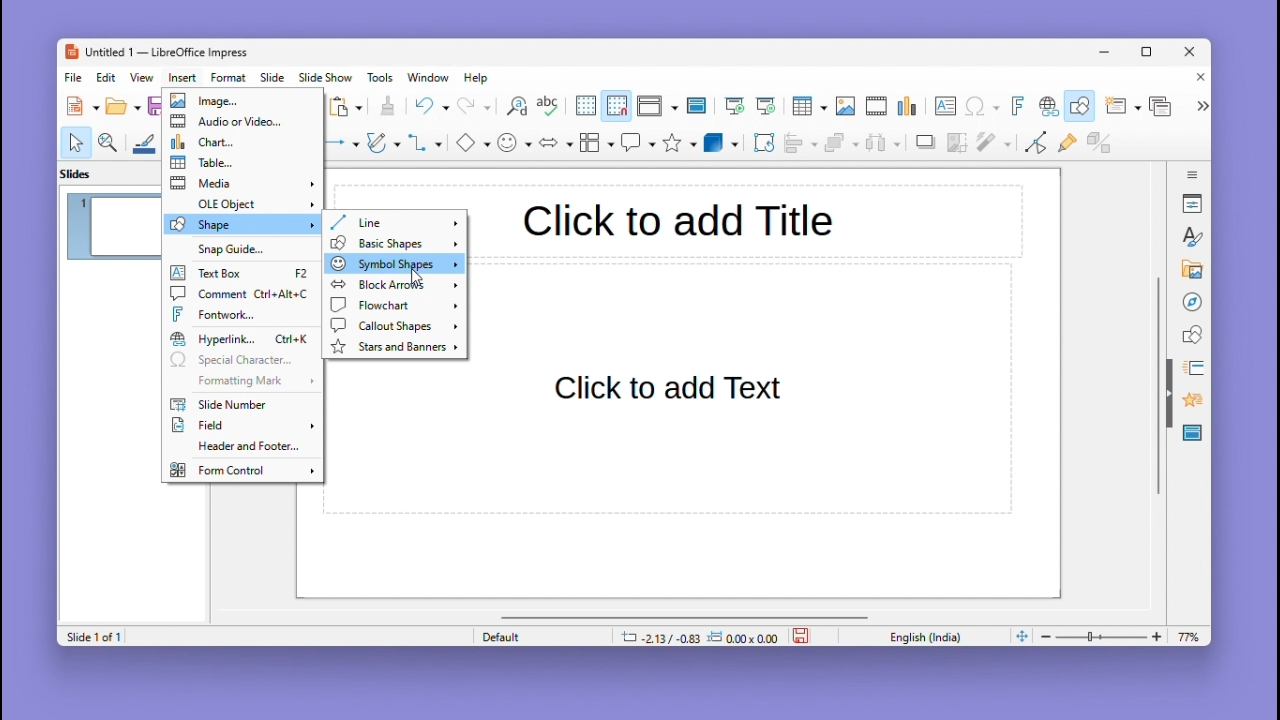 The width and height of the screenshot is (1280, 720). Describe the element at coordinates (839, 145) in the screenshot. I see `Arrange` at that location.